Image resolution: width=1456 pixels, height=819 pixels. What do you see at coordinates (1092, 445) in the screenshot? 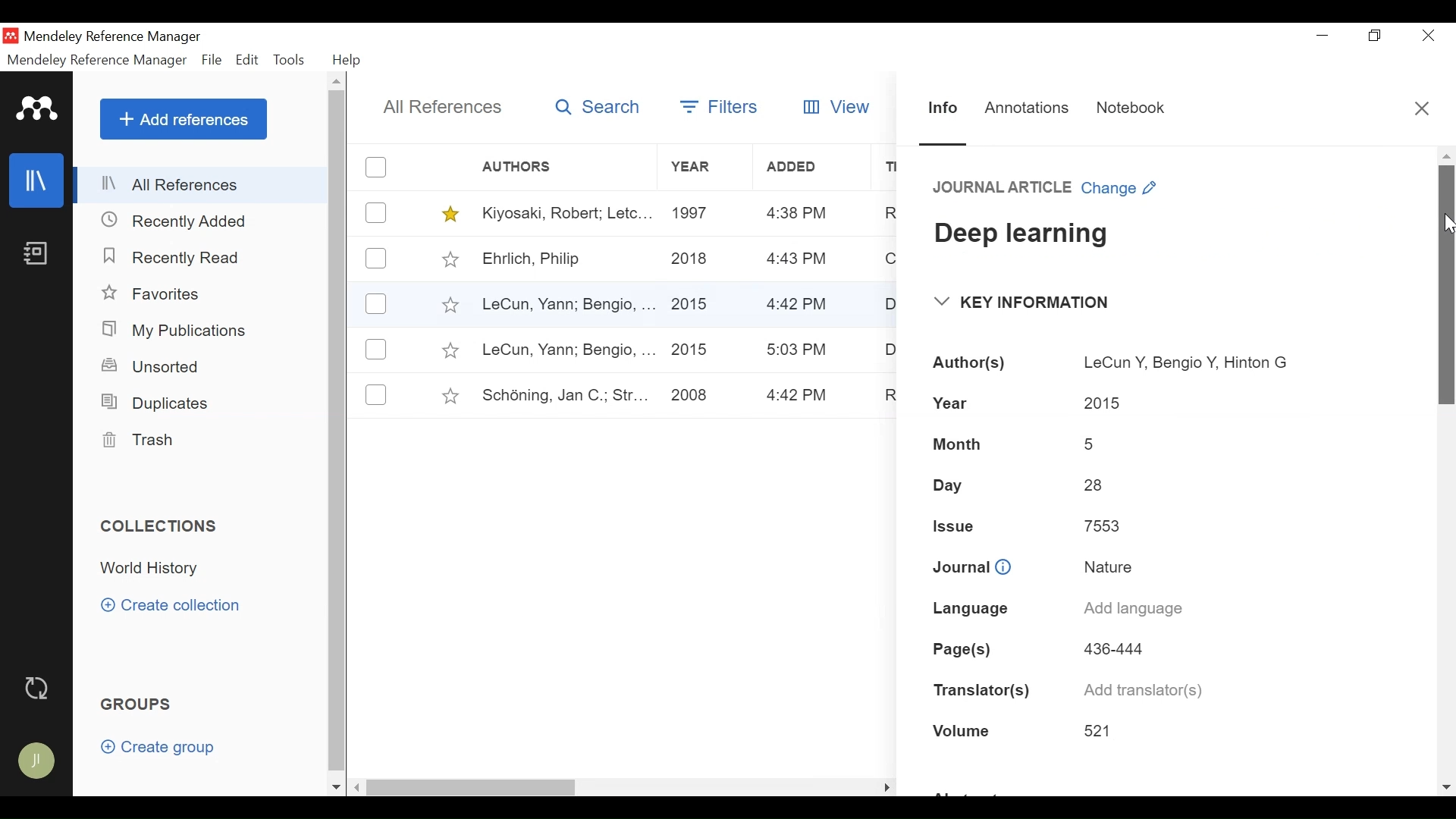
I see `5` at bounding box center [1092, 445].